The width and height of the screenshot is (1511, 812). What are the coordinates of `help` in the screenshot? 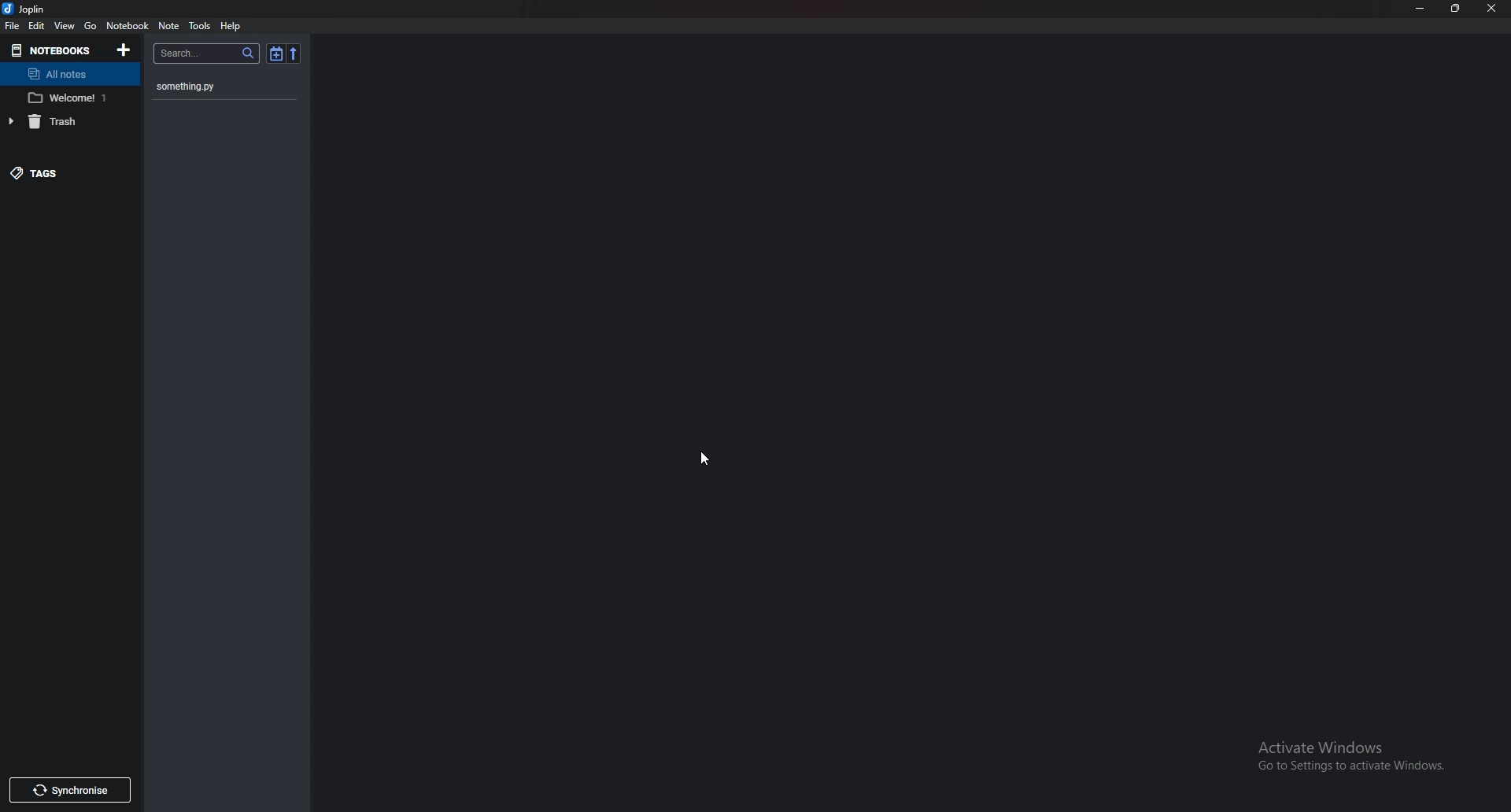 It's located at (232, 25).